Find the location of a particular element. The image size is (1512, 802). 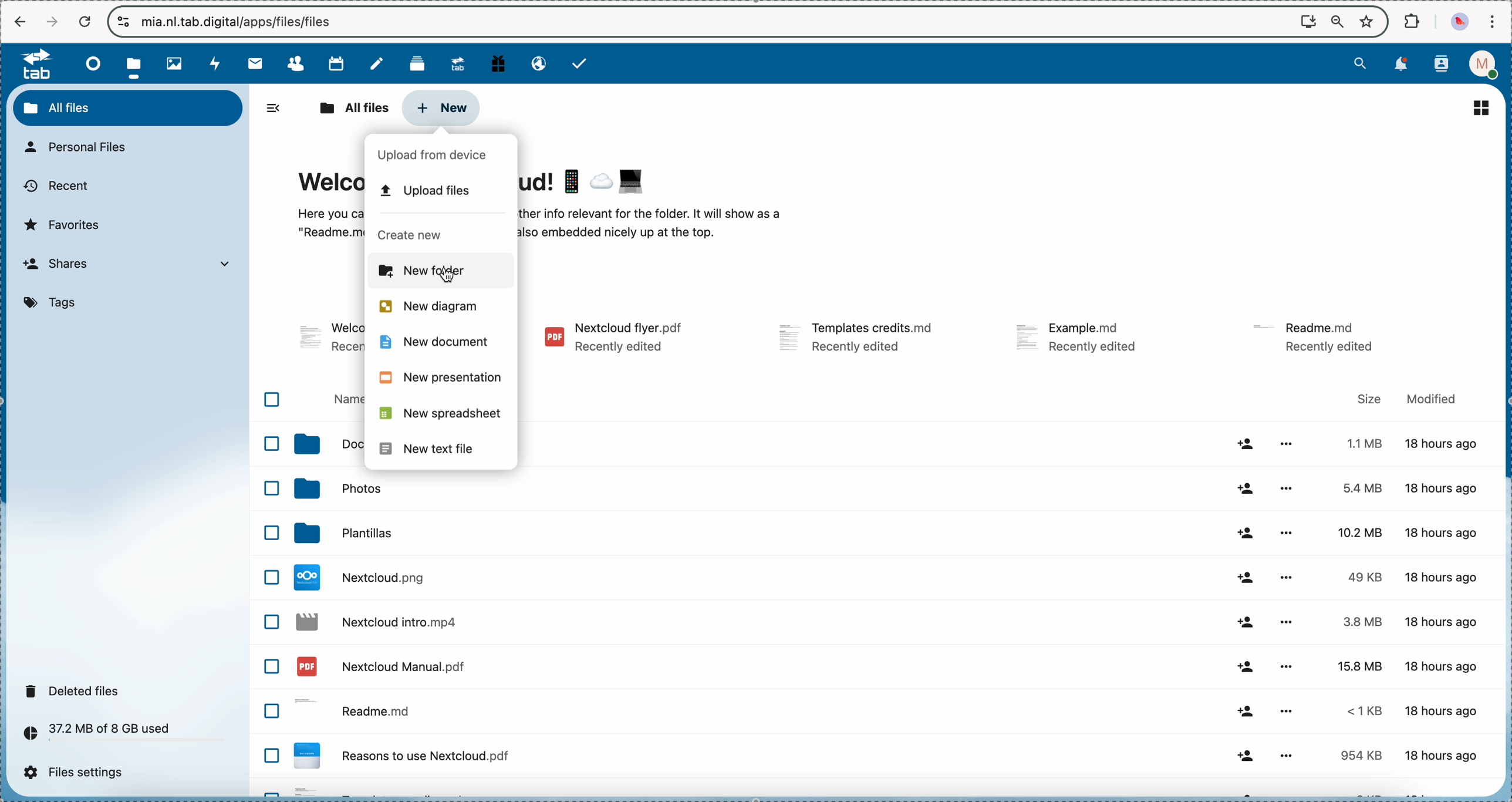

file is located at coordinates (879, 791).